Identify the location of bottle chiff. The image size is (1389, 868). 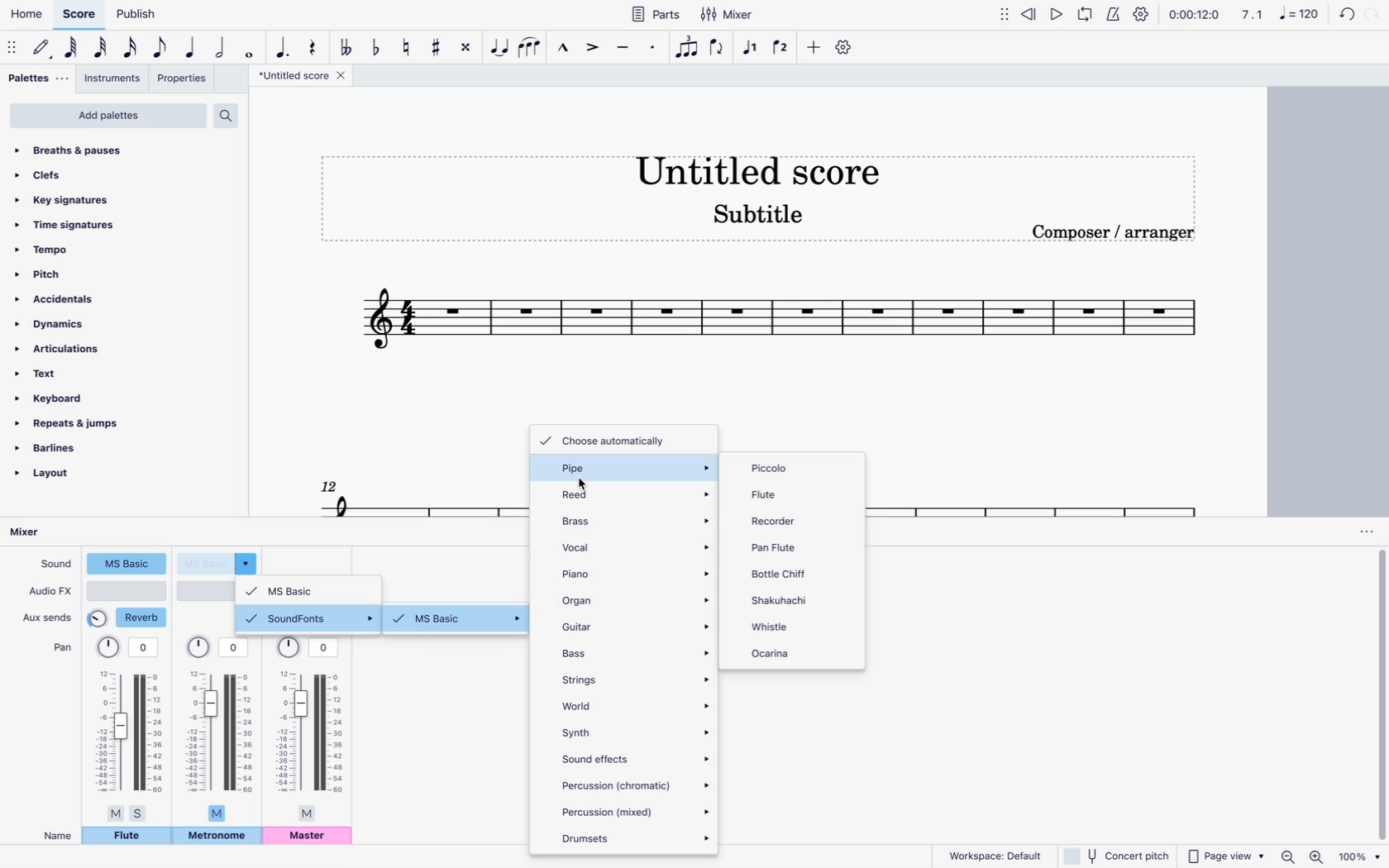
(787, 572).